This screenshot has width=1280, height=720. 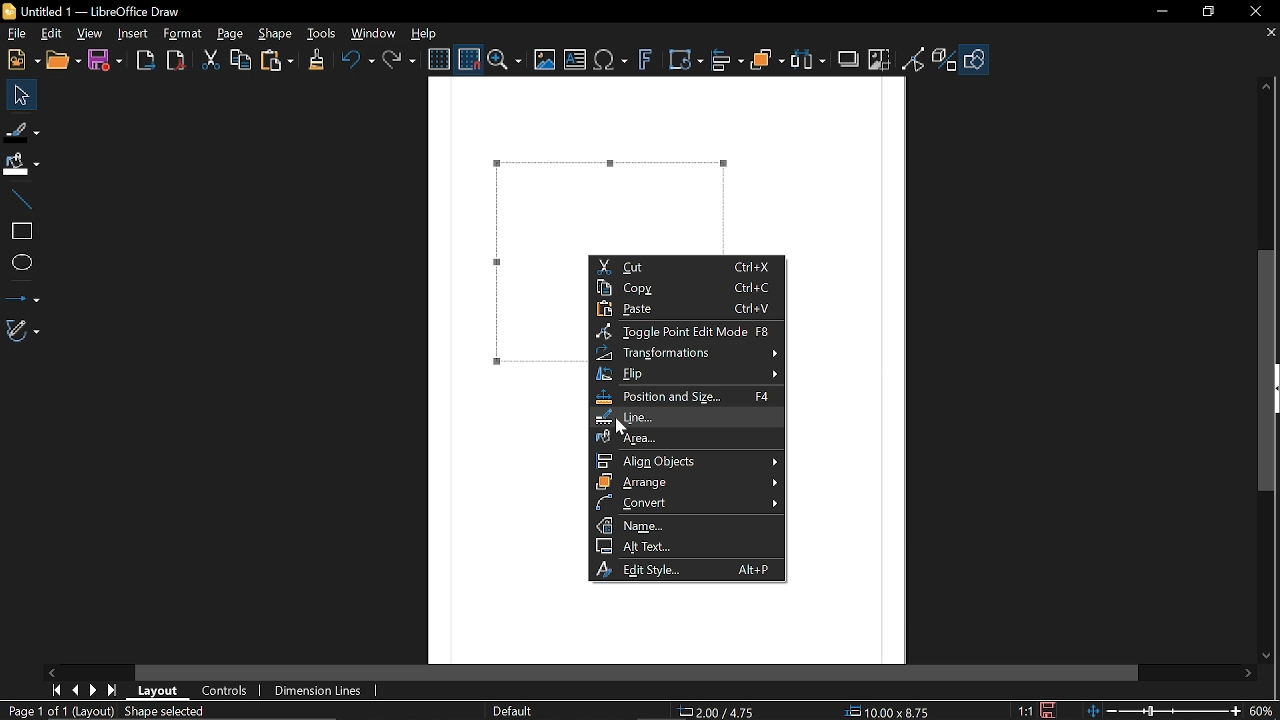 I want to click on Last page, so click(x=115, y=690).